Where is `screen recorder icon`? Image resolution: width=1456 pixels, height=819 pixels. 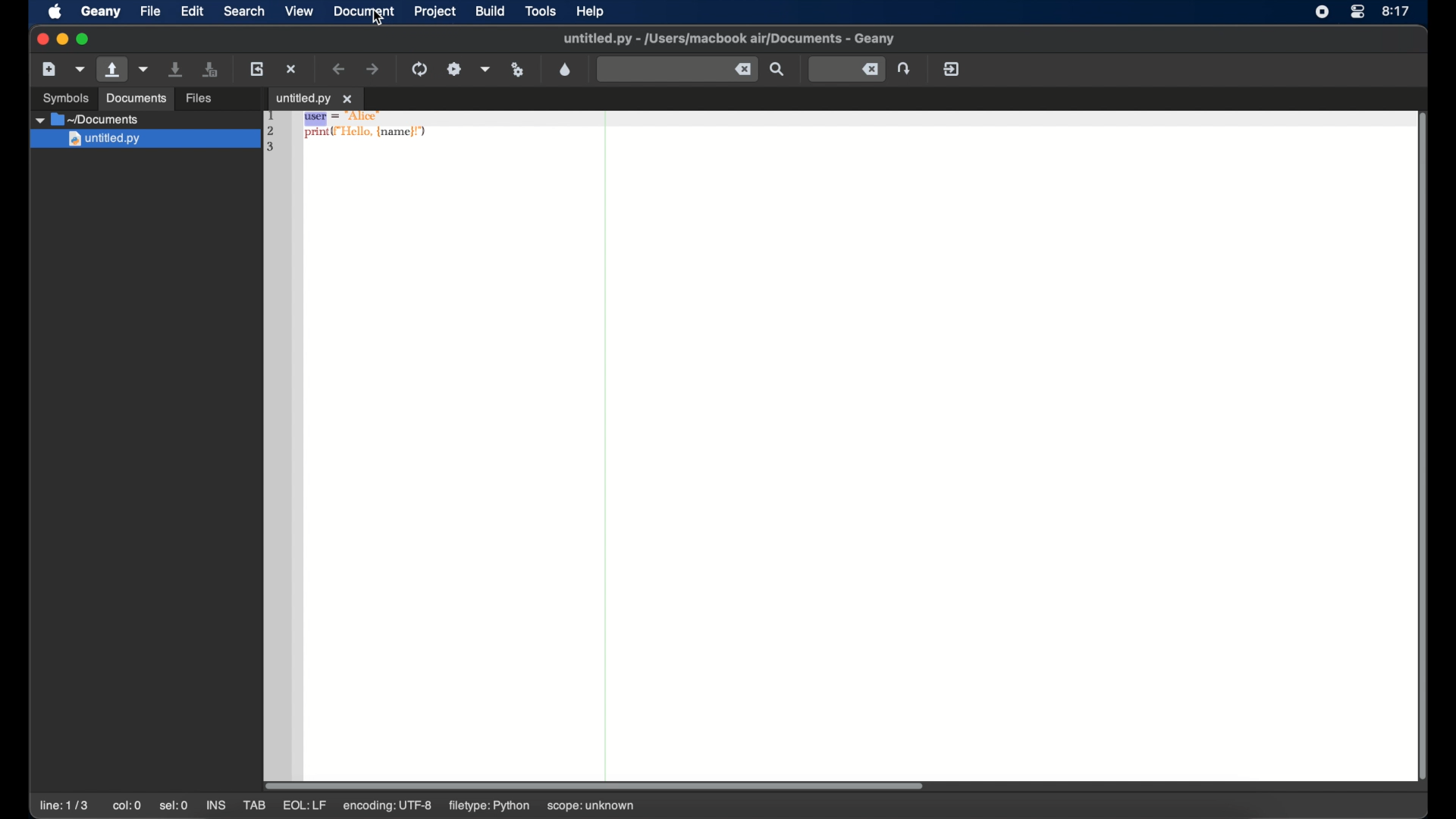 screen recorder icon is located at coordinates (1321, 12).